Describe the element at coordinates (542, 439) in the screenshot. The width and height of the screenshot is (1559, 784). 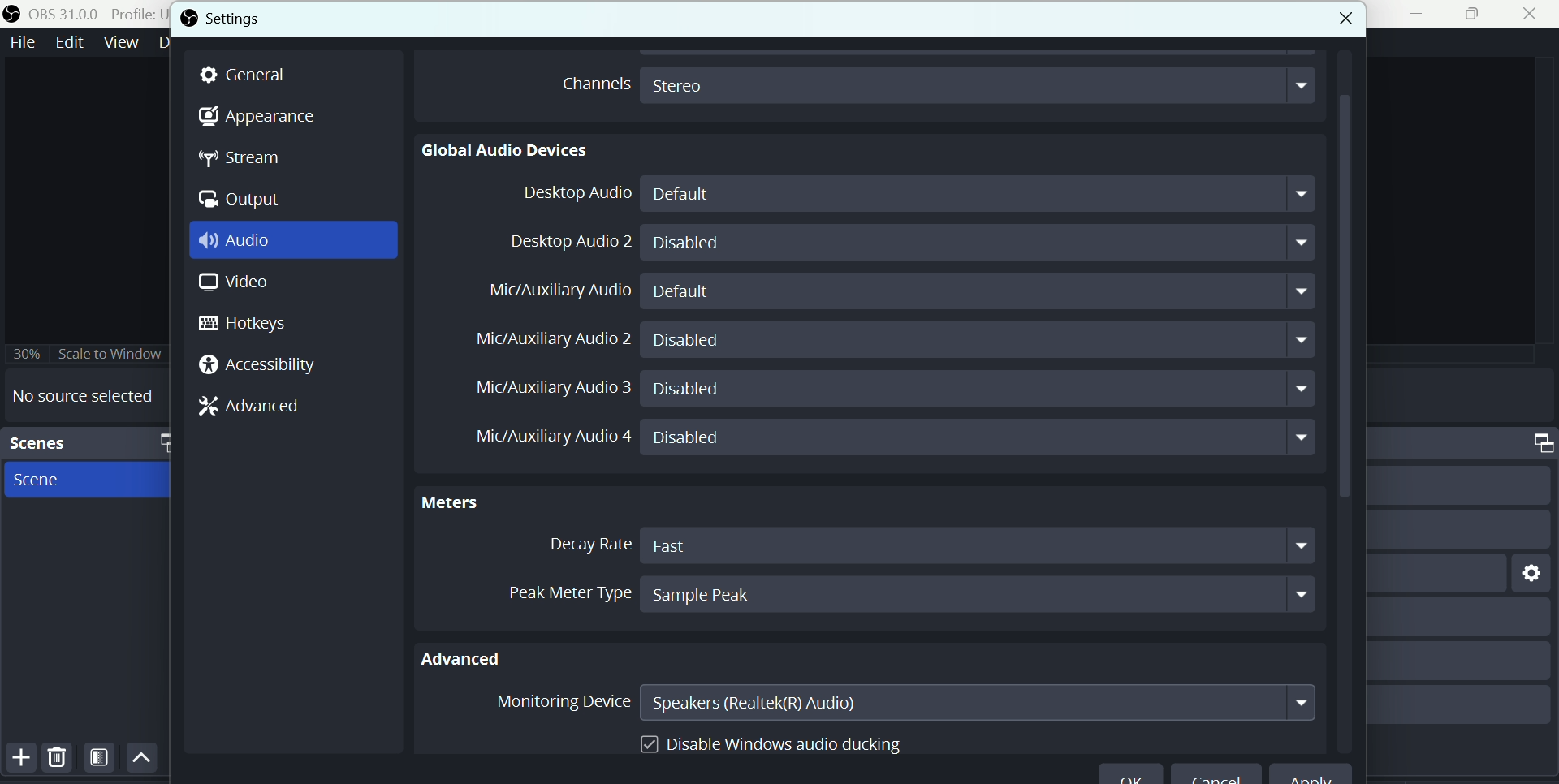
I see `Mic/Auxiliary Audio 4` at that location.